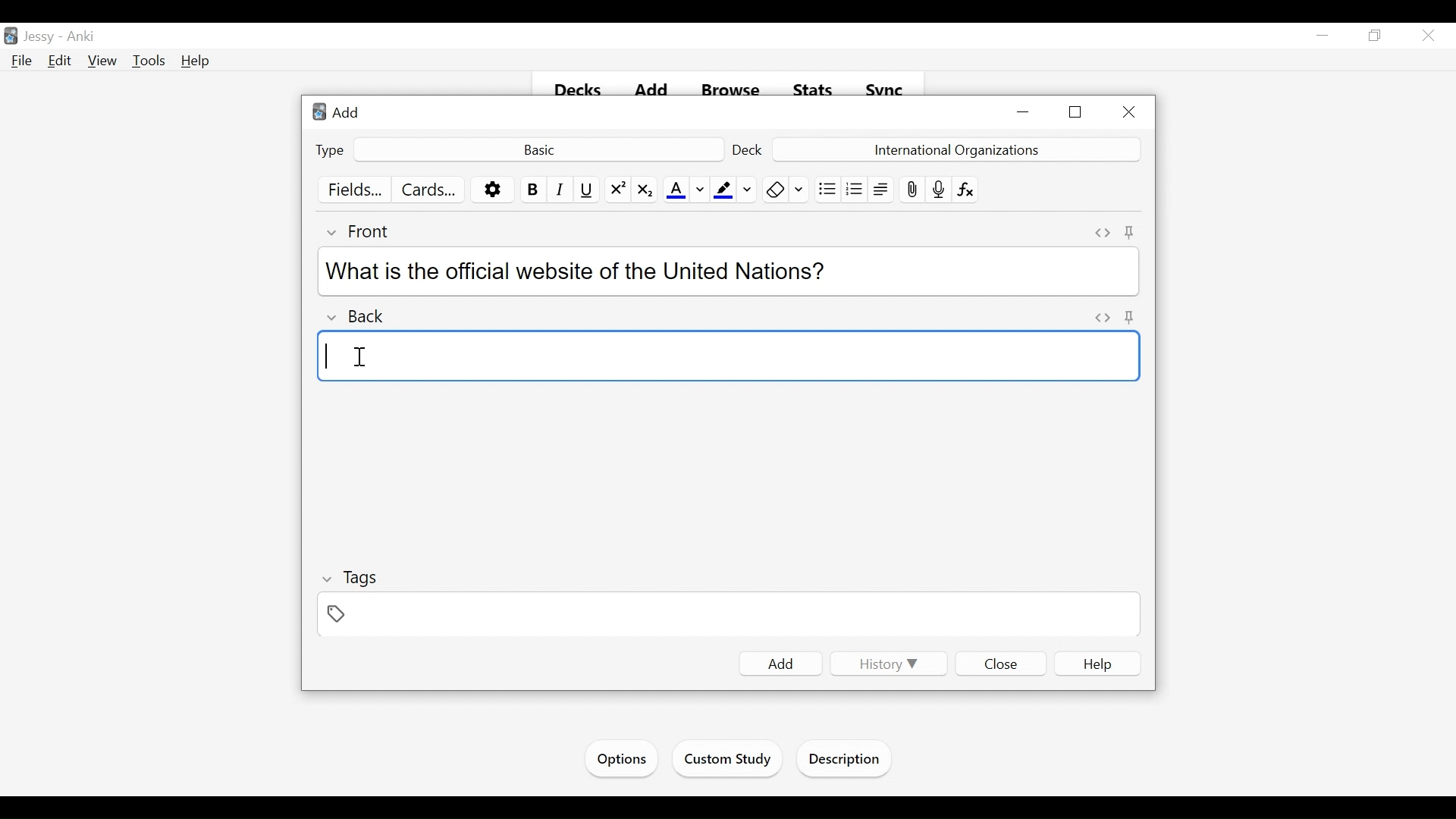  What do you see at coordinates (645, 83) in the screenshot?
I see `add` at bounding box center [645, 83].